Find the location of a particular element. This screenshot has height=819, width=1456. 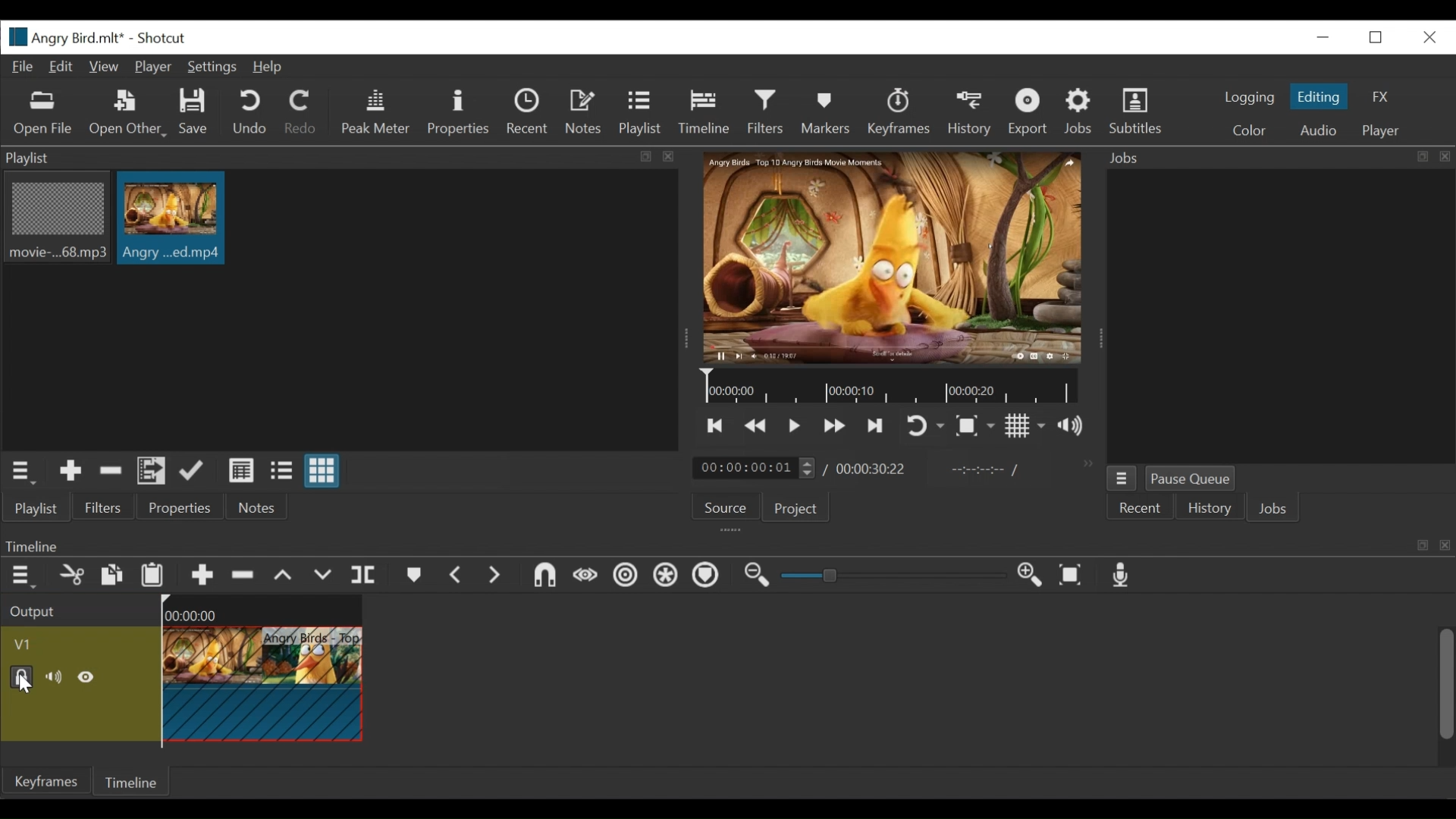

FX is located at coordinates (1382, 96).